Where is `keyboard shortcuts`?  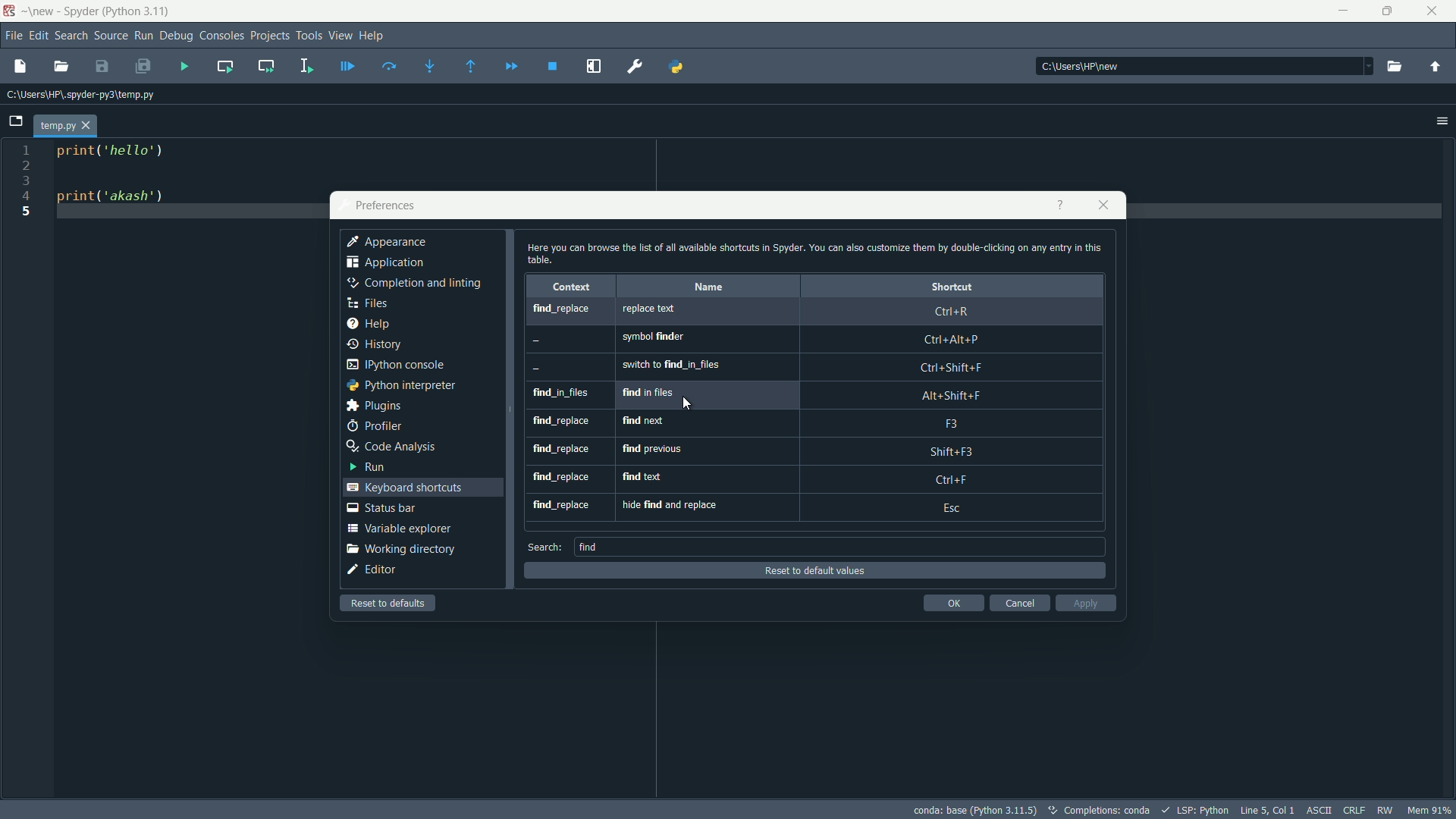 keyboard shortcuts is located at coordinates (405, 488).